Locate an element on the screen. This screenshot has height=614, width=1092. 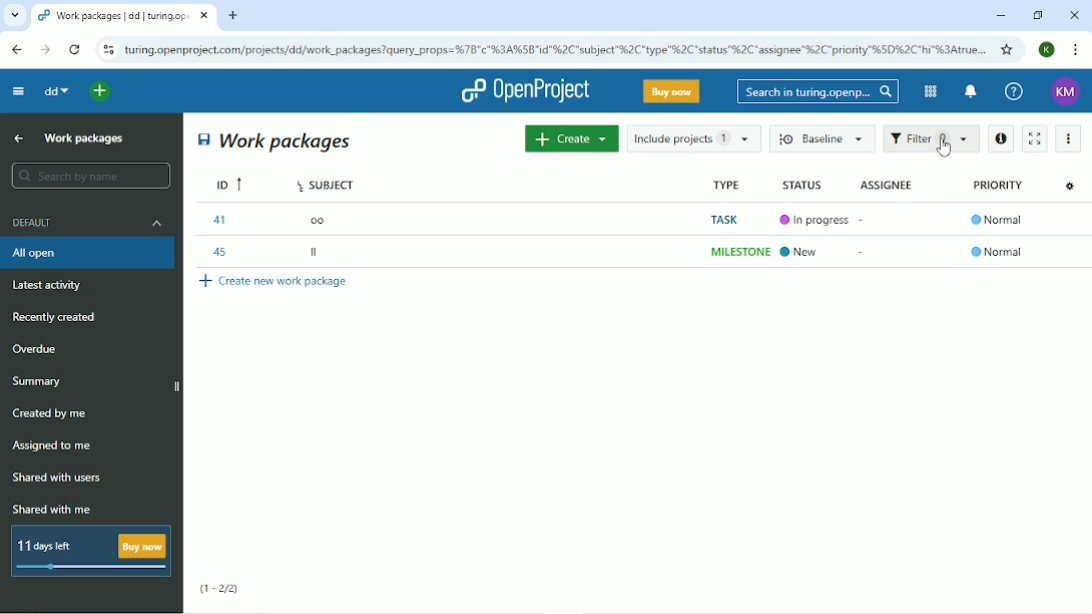
Shared with me is located at coordinates (54, 509).